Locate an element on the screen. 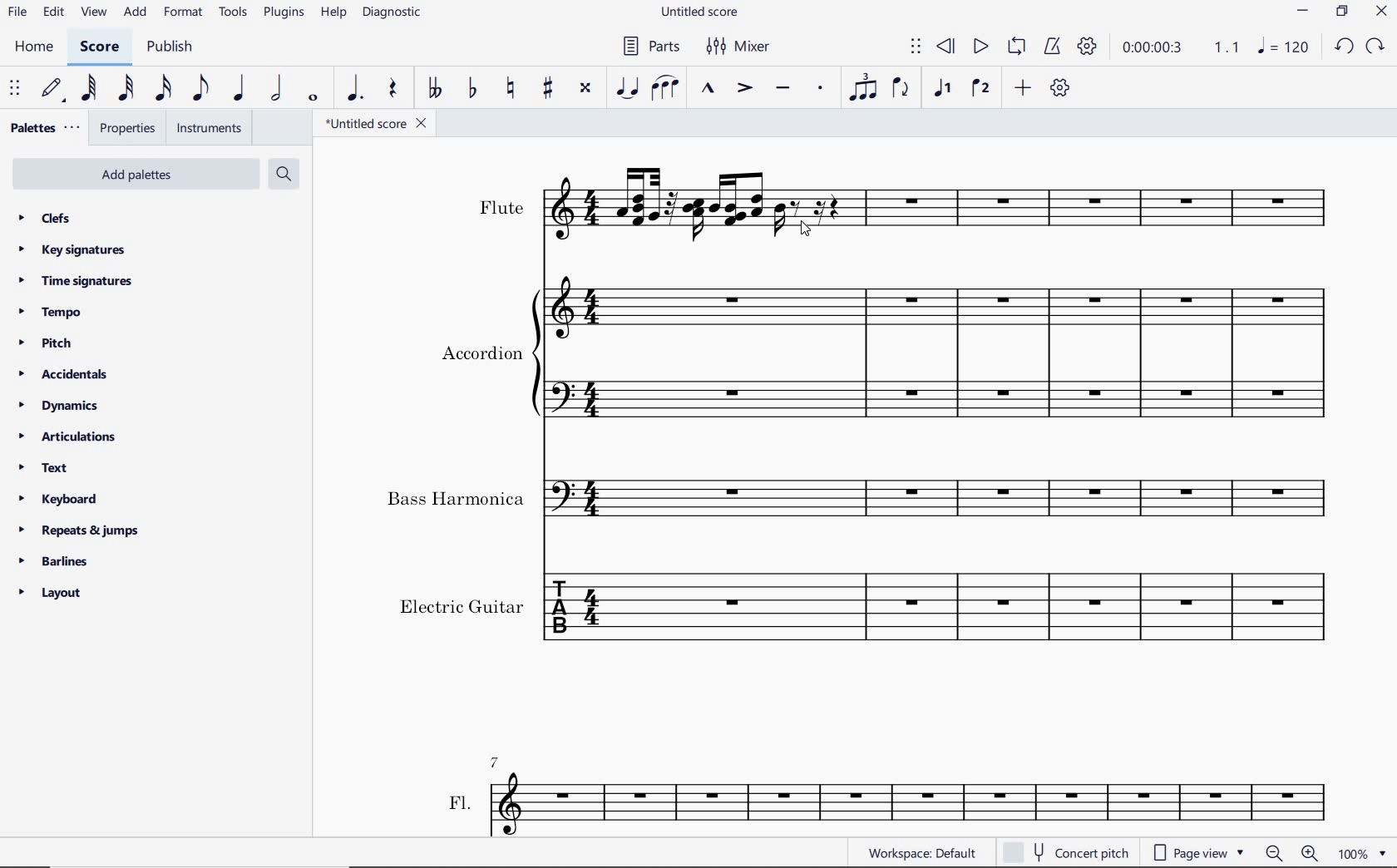 This screenshot has height=868, width=1397. toggle natural is located at coordinates (513, 89).